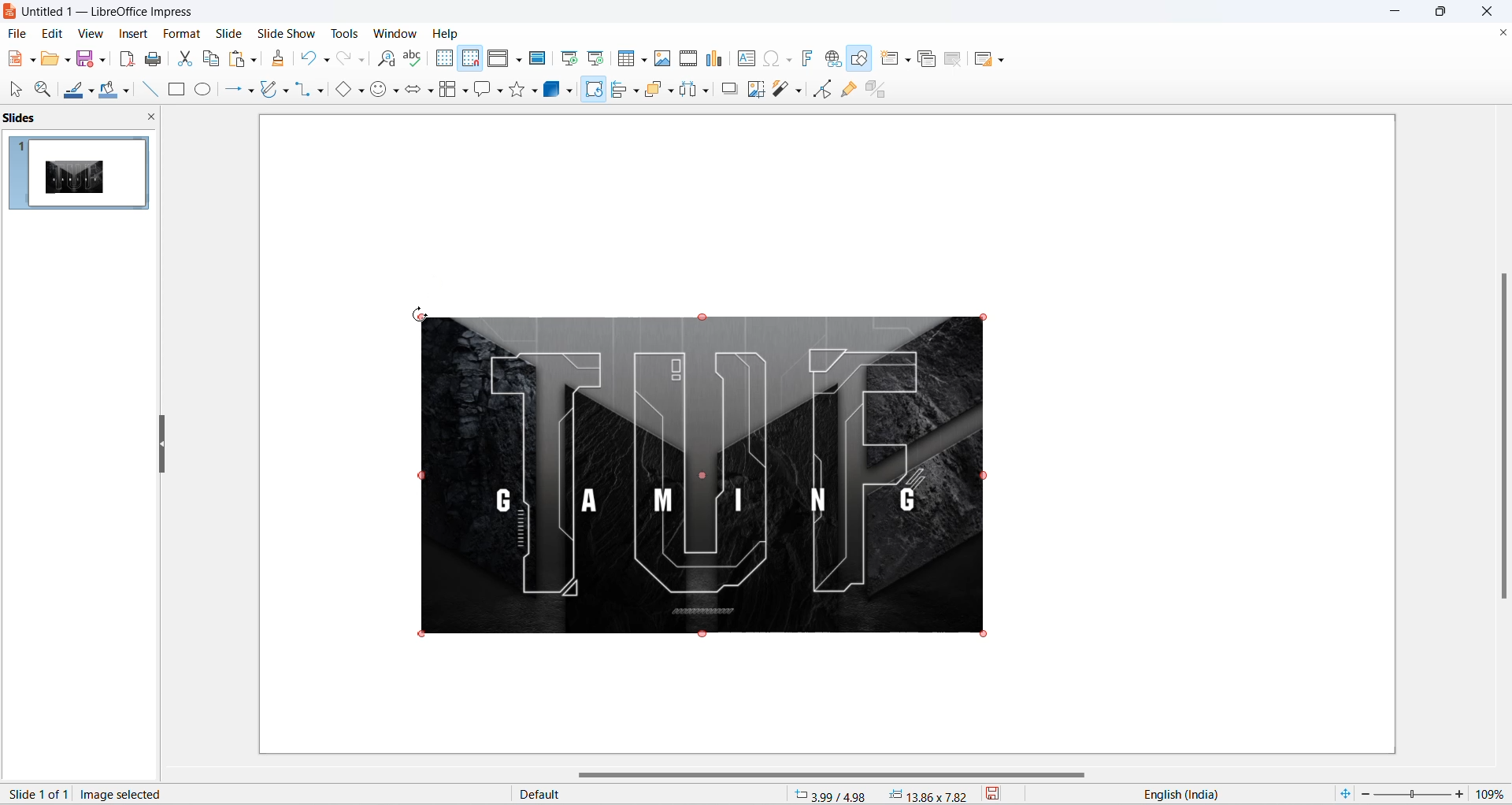  What do you see at coordinates (594, 84) in the screenshot?
I see `cursor` at bounding box center [594, 84].